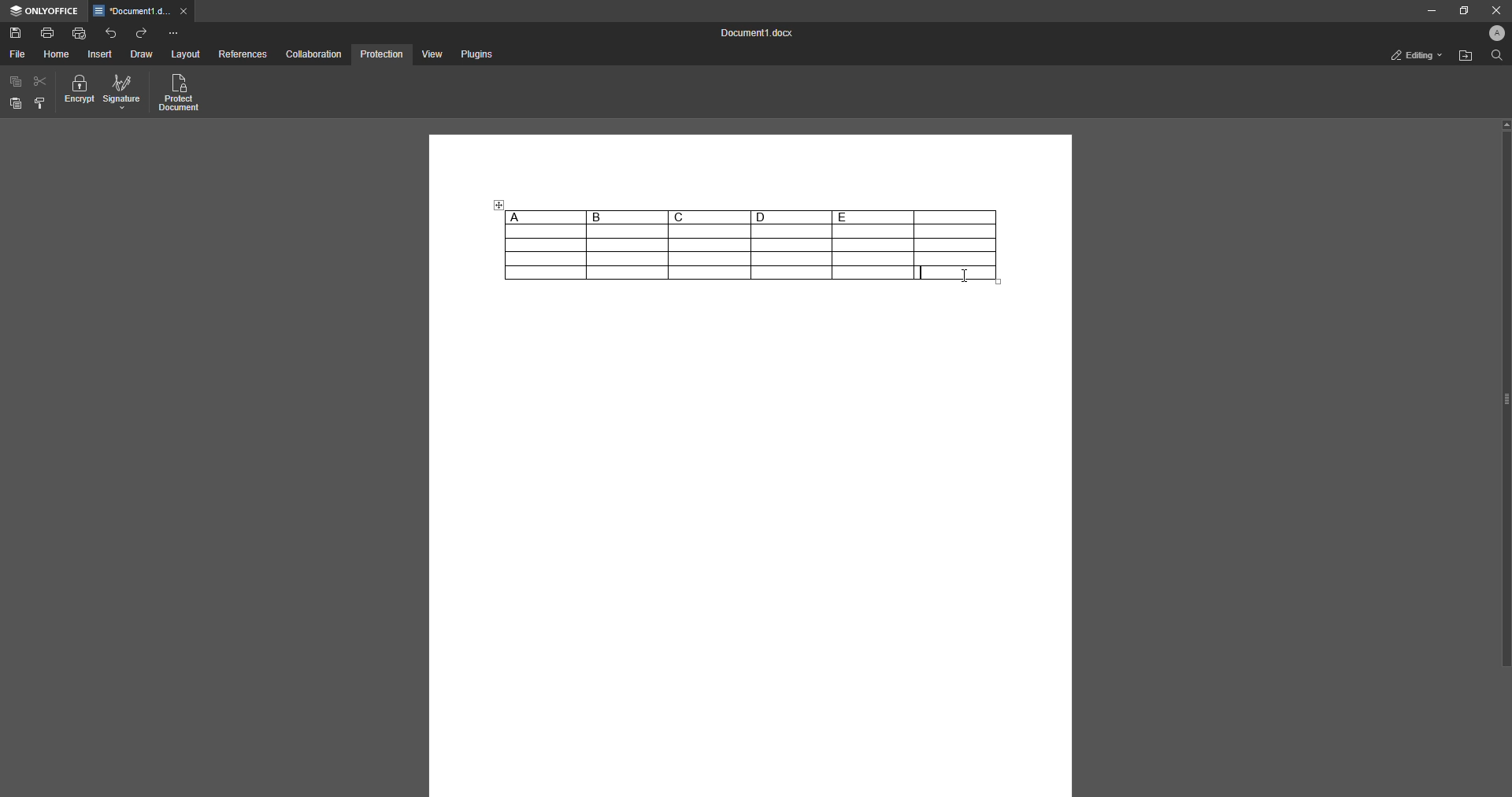 The image size is (1512, 797). What do you see at coordinates (143, 33) in the screenshot?
I see `Redo` at bounding box center [143, 33].